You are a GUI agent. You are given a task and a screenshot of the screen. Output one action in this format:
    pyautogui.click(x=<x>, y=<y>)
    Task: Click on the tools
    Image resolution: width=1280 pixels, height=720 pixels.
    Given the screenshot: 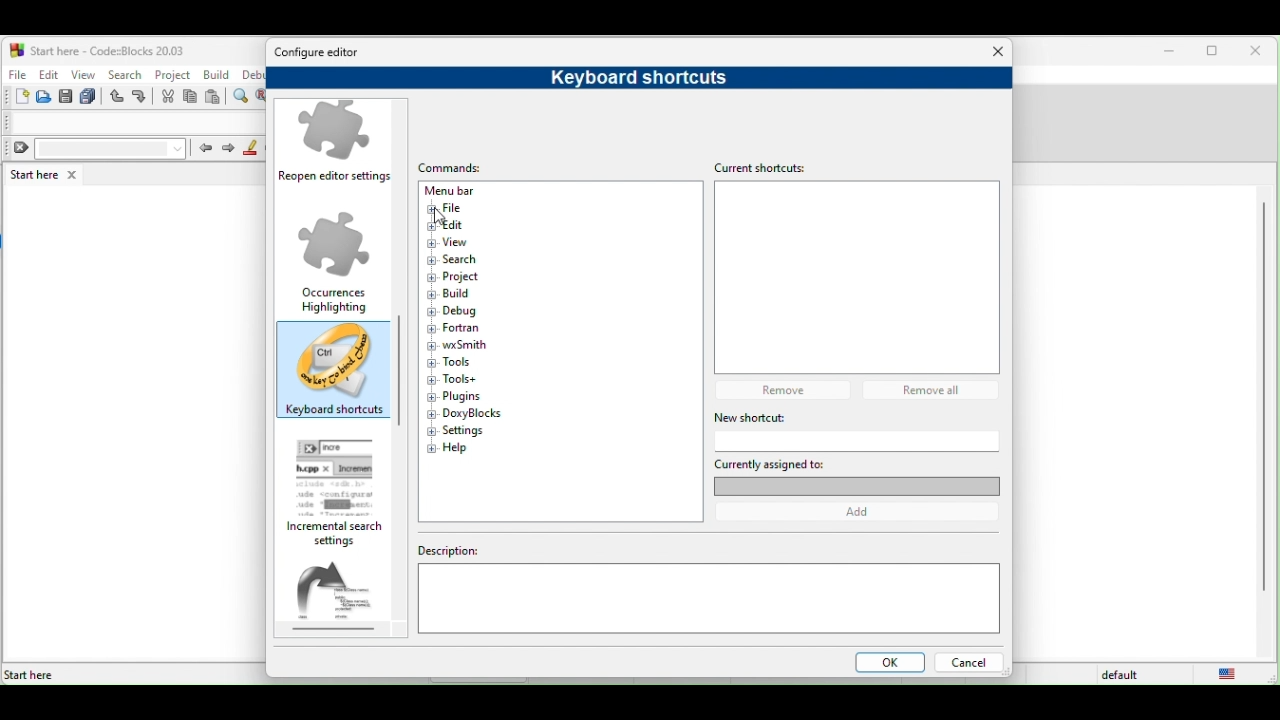 What is the action you would take?
    pyautogui.click(x=456, y=362)
    